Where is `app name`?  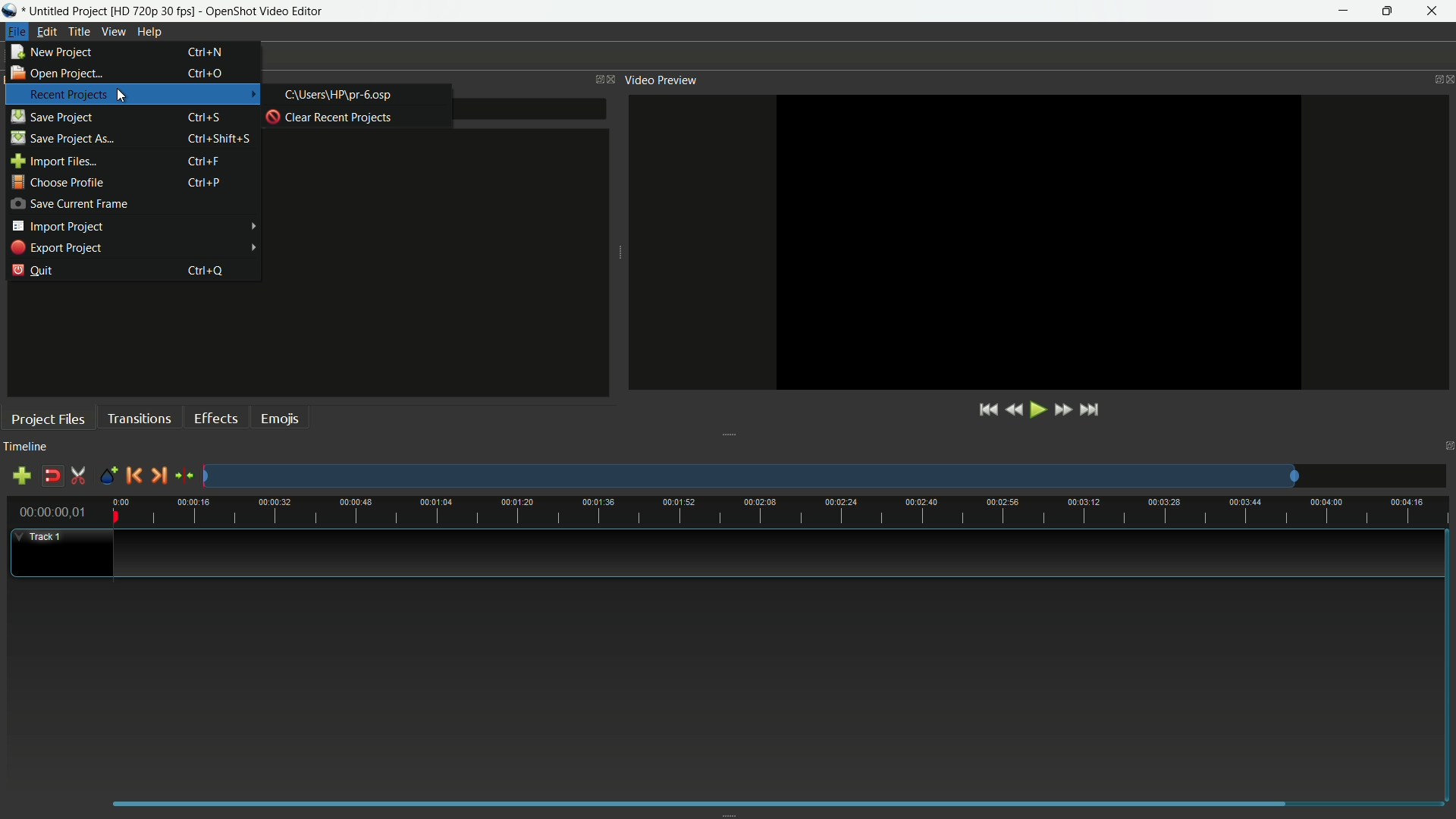
app name is located at coordinates (265, 11).